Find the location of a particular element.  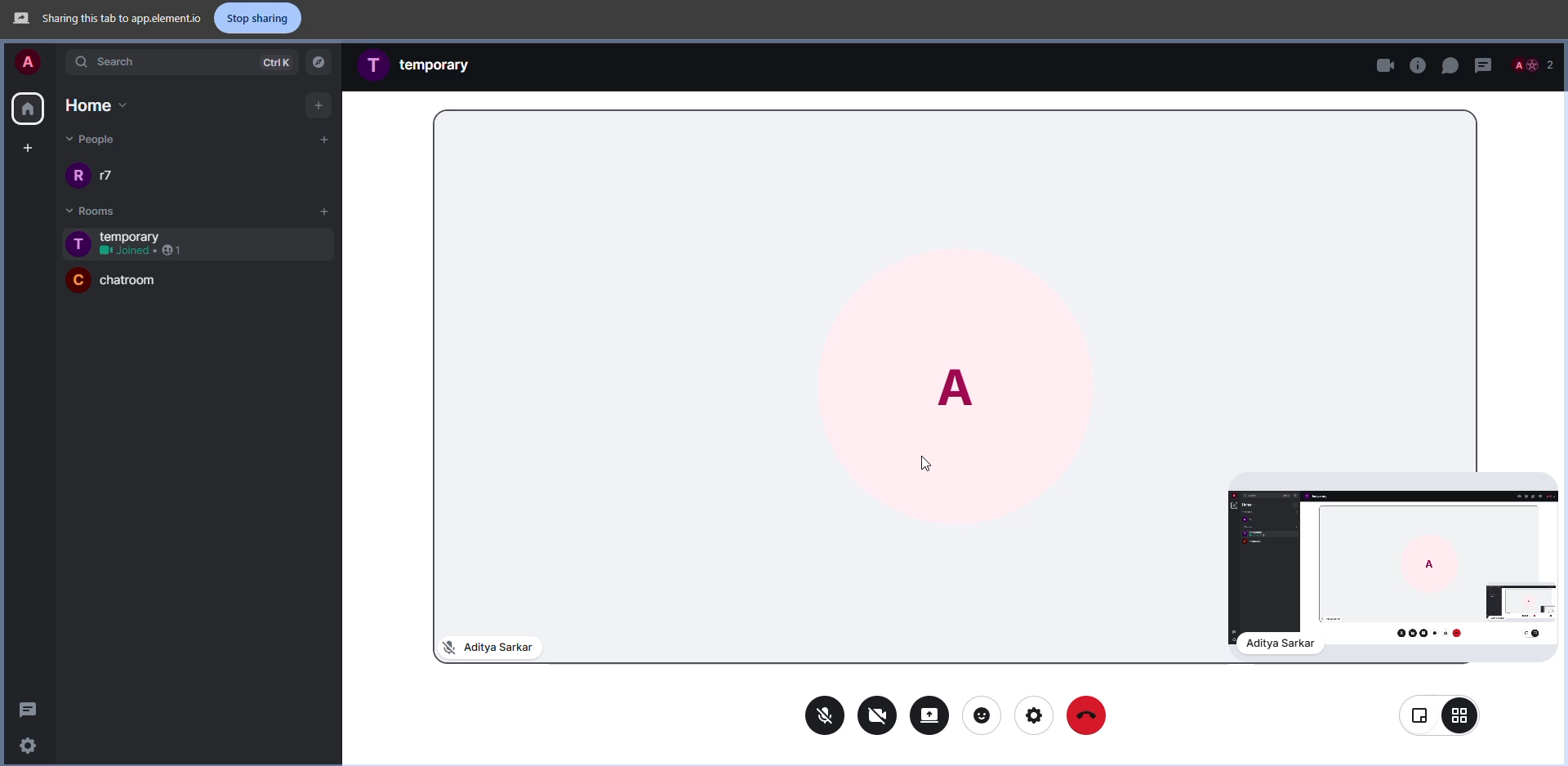

people is located at coordinates (105, 139).